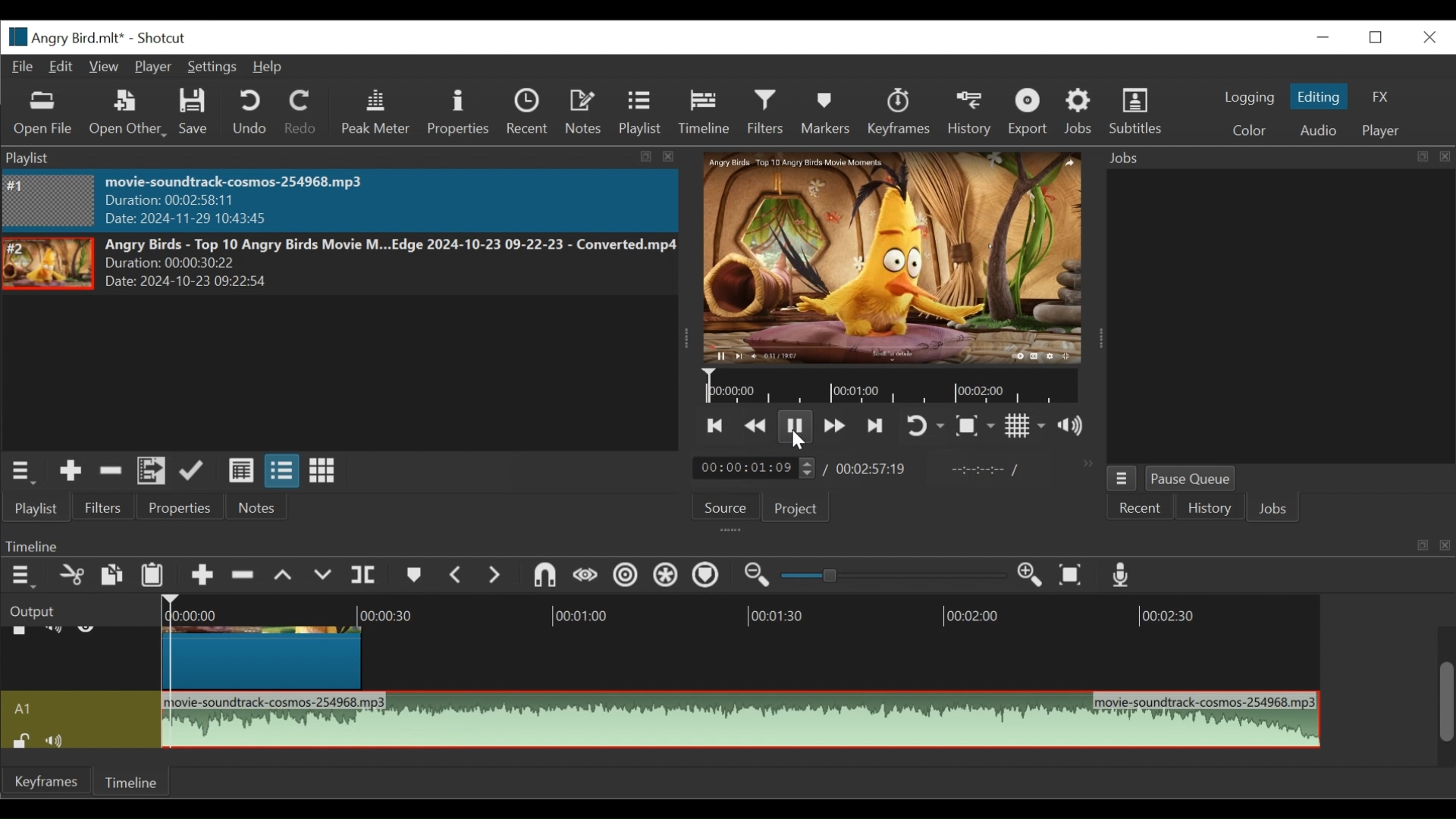  Describe the element at coordinates (71, 471) in the screenshot. I see `Add the source to the playlist` at that location.